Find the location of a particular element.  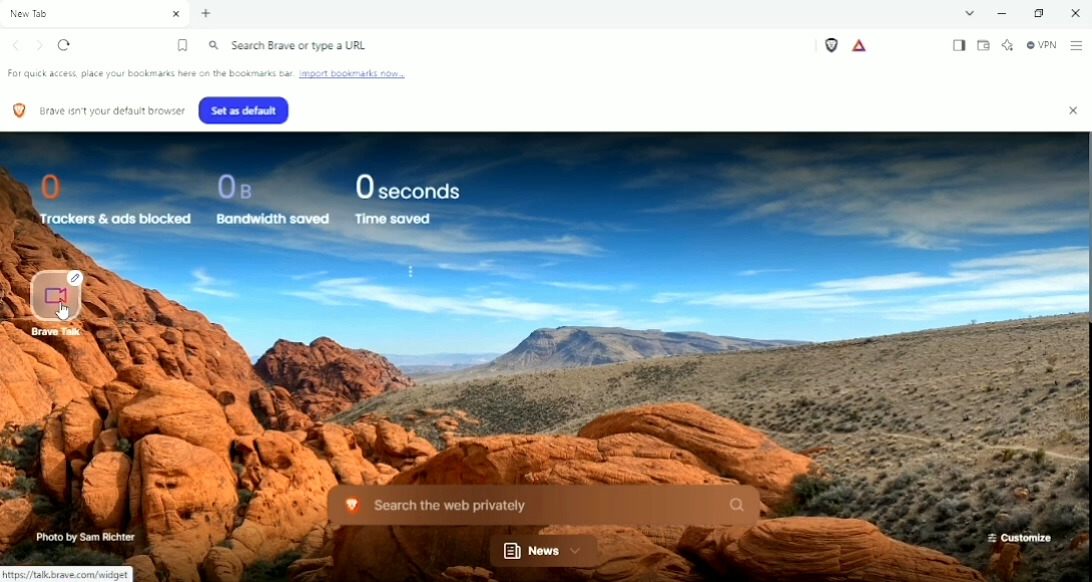

For quick access, place your bookmarks here on the bookmarks bar. Import bookmarks now. is located at coordinates (218, 74).